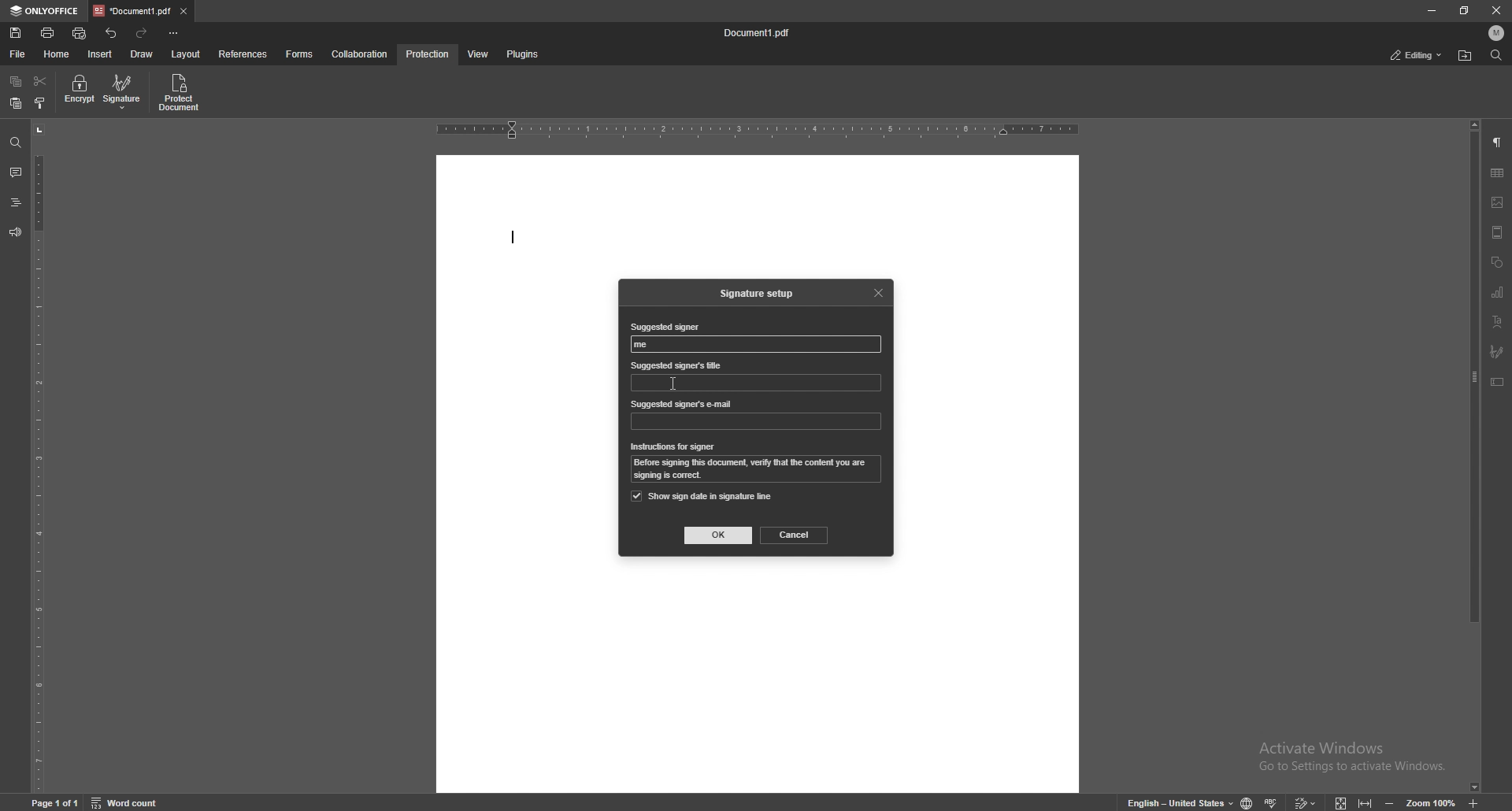 The height and width of the screenshot is (811, 1512). Describe the element at coordinates (521, 55) in the screenshot. I see `plugins` at that location.